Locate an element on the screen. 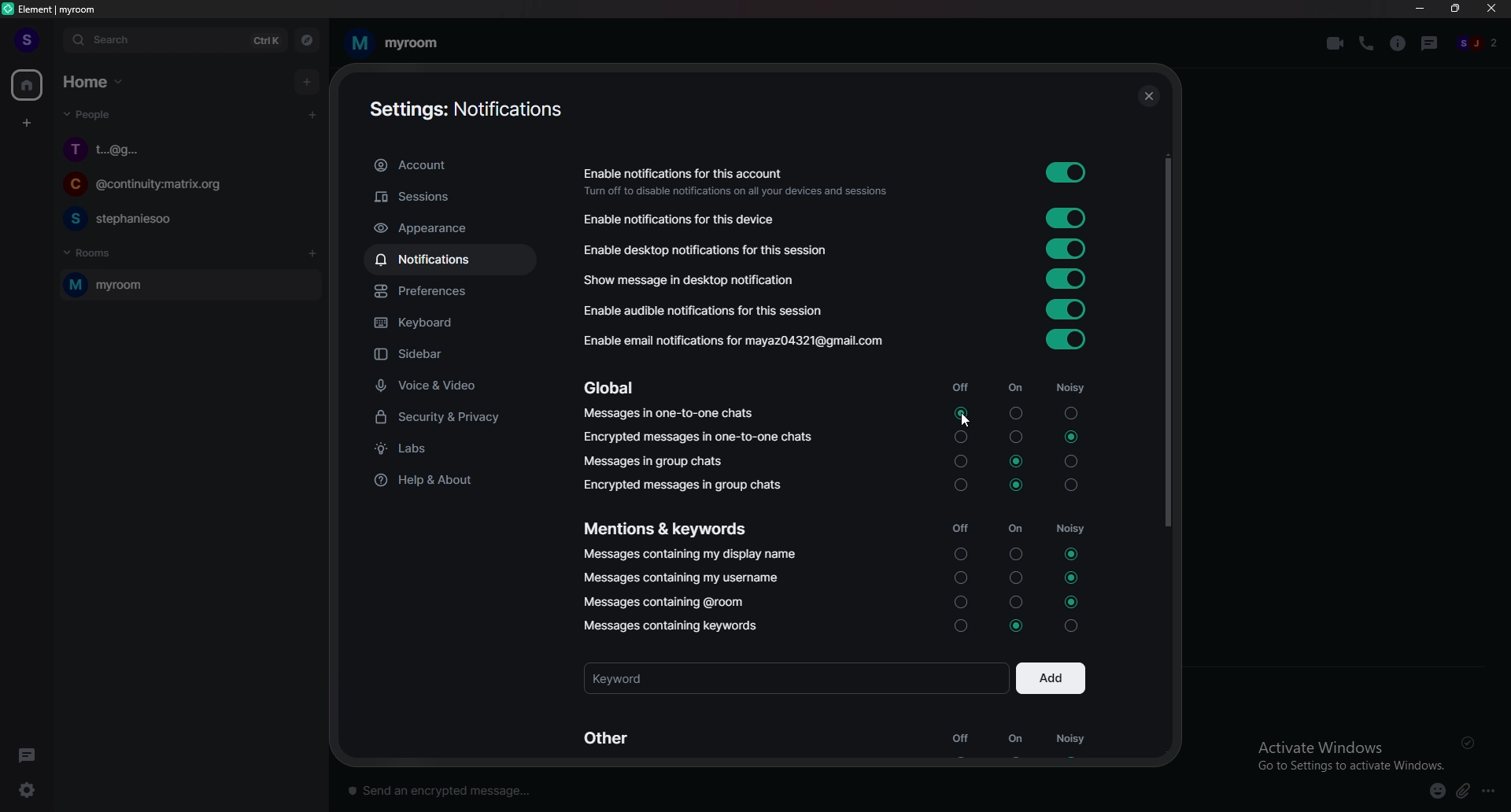 The height and width of the screenshot is (812, 1511). other is located at coordinates (614, 736).